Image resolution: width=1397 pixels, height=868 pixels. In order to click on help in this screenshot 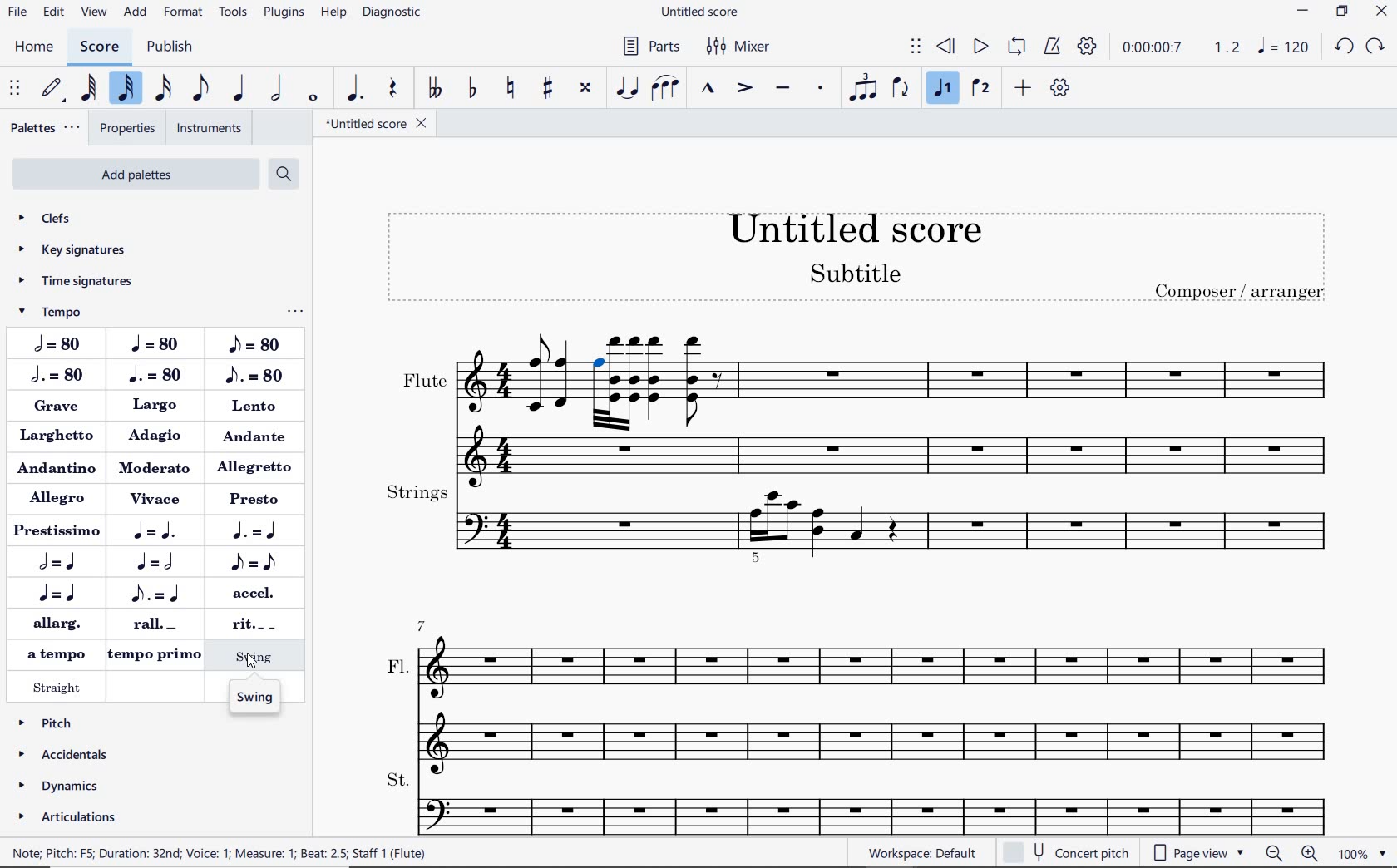, I will do `click(333, 14)`.